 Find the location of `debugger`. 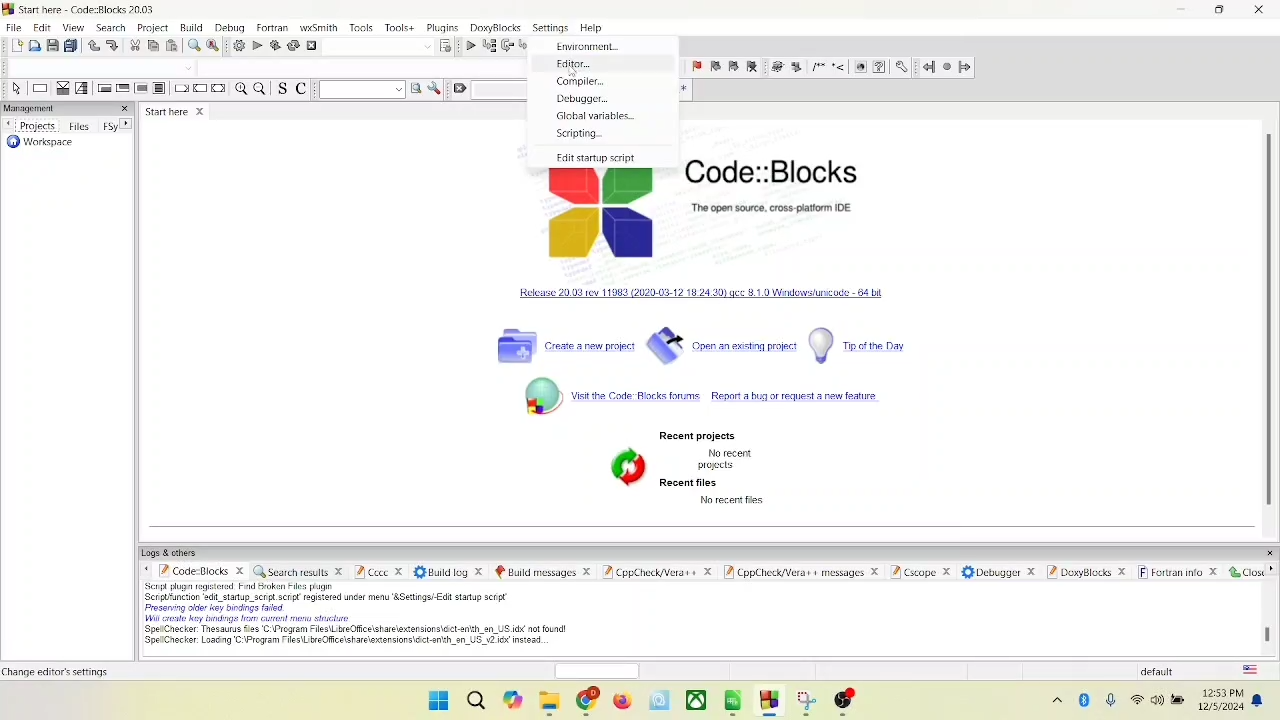

debugger is located at coordinates (1002, 572).